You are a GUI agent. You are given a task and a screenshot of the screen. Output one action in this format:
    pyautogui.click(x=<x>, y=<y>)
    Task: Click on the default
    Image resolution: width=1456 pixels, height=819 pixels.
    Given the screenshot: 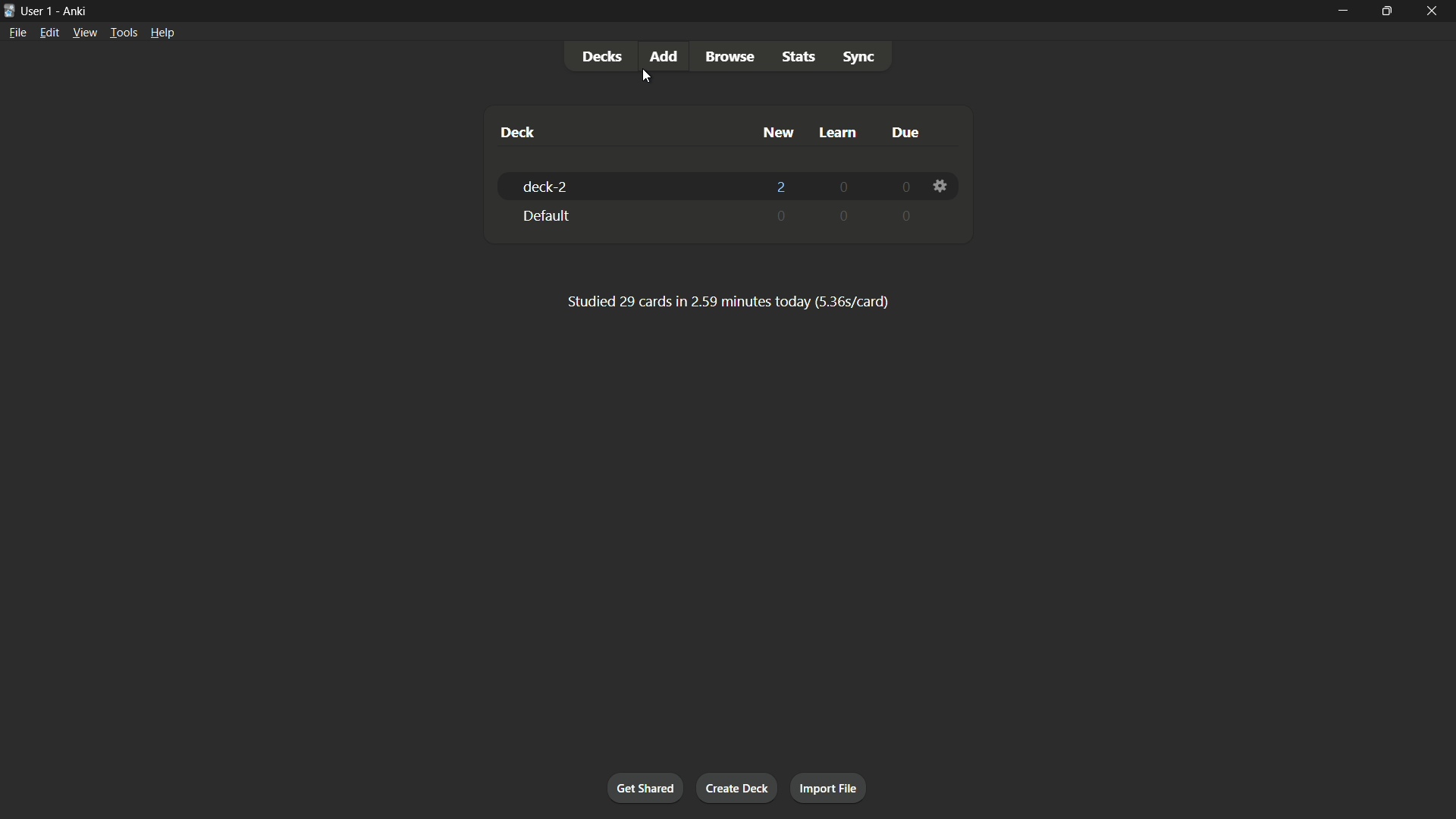 What is the action you would take?
    pyautogui.click(x=544, y=215)
    